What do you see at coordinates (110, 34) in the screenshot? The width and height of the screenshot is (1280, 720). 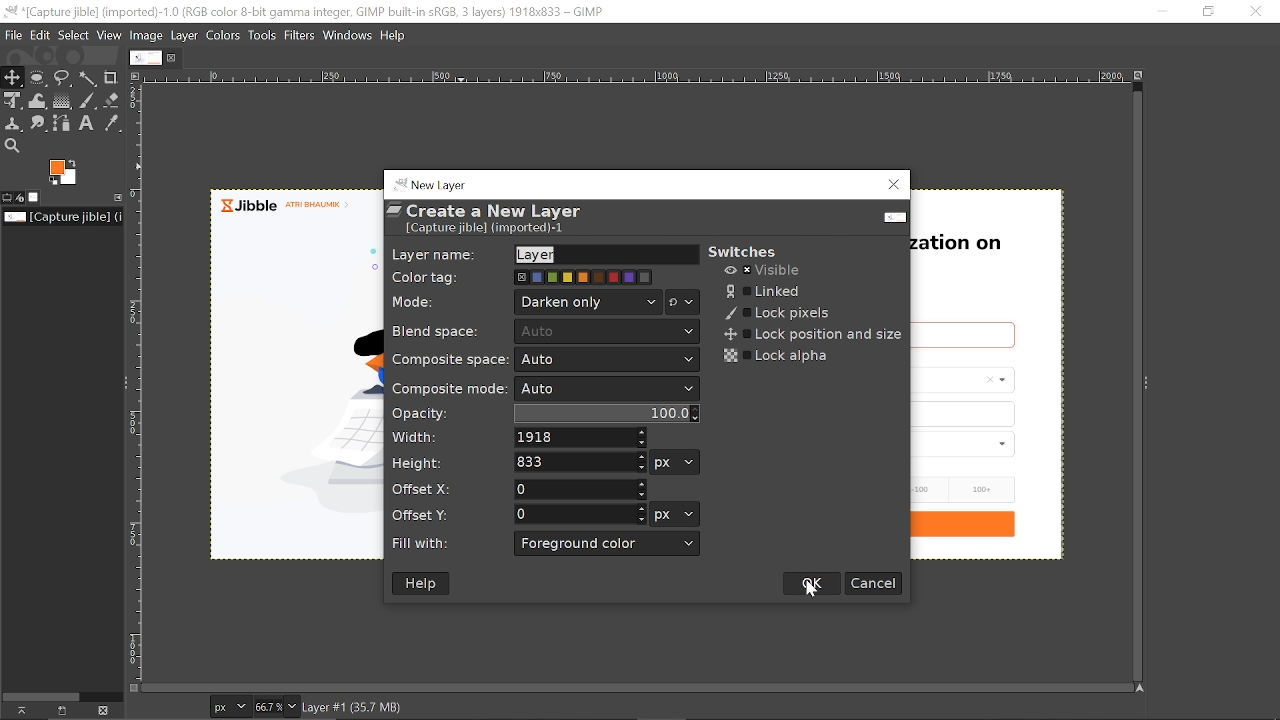 I see `View` at bounding box center [110, 34].